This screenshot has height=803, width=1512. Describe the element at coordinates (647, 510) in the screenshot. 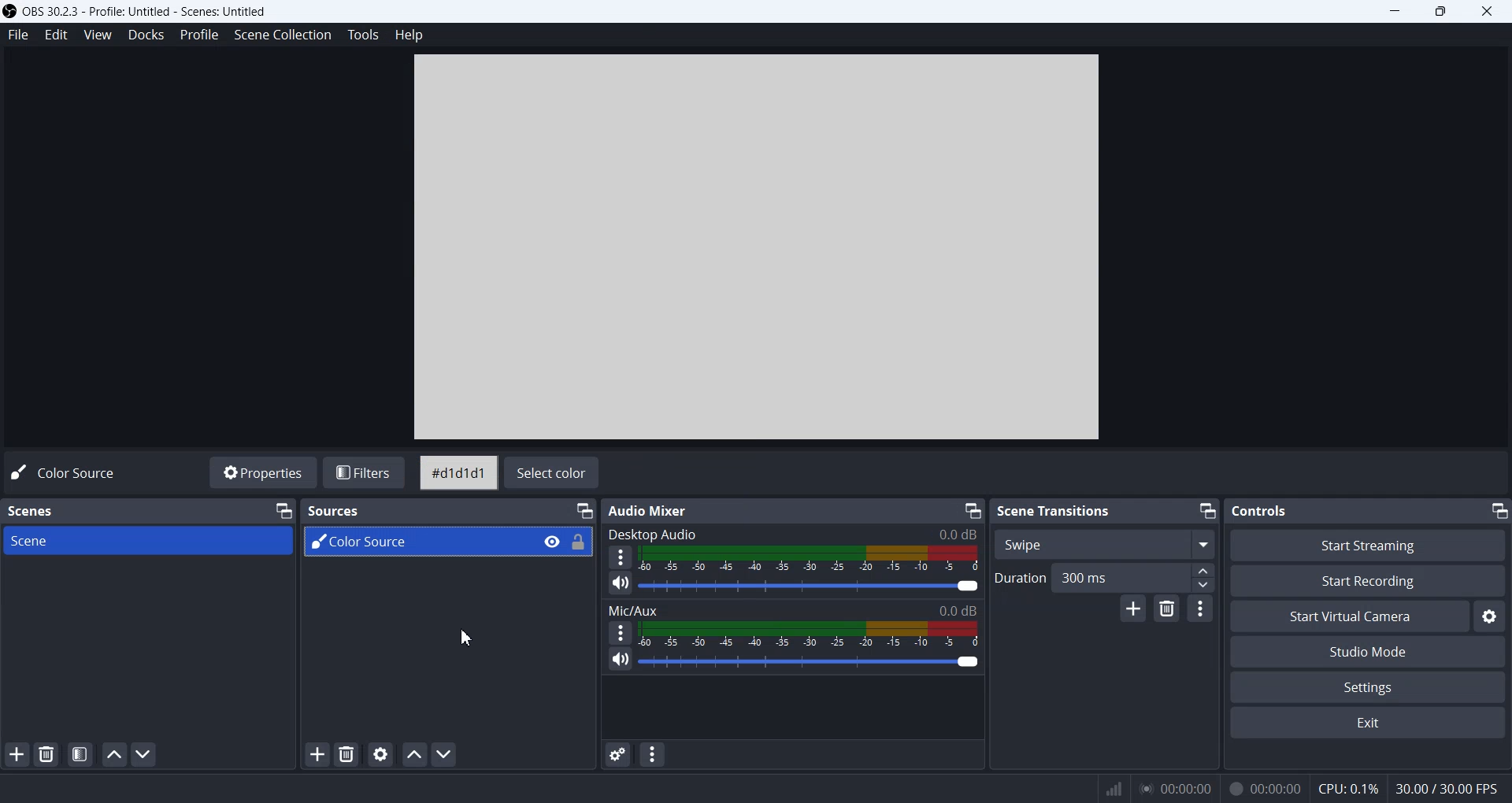

I see `Audio Mixer` at that location.